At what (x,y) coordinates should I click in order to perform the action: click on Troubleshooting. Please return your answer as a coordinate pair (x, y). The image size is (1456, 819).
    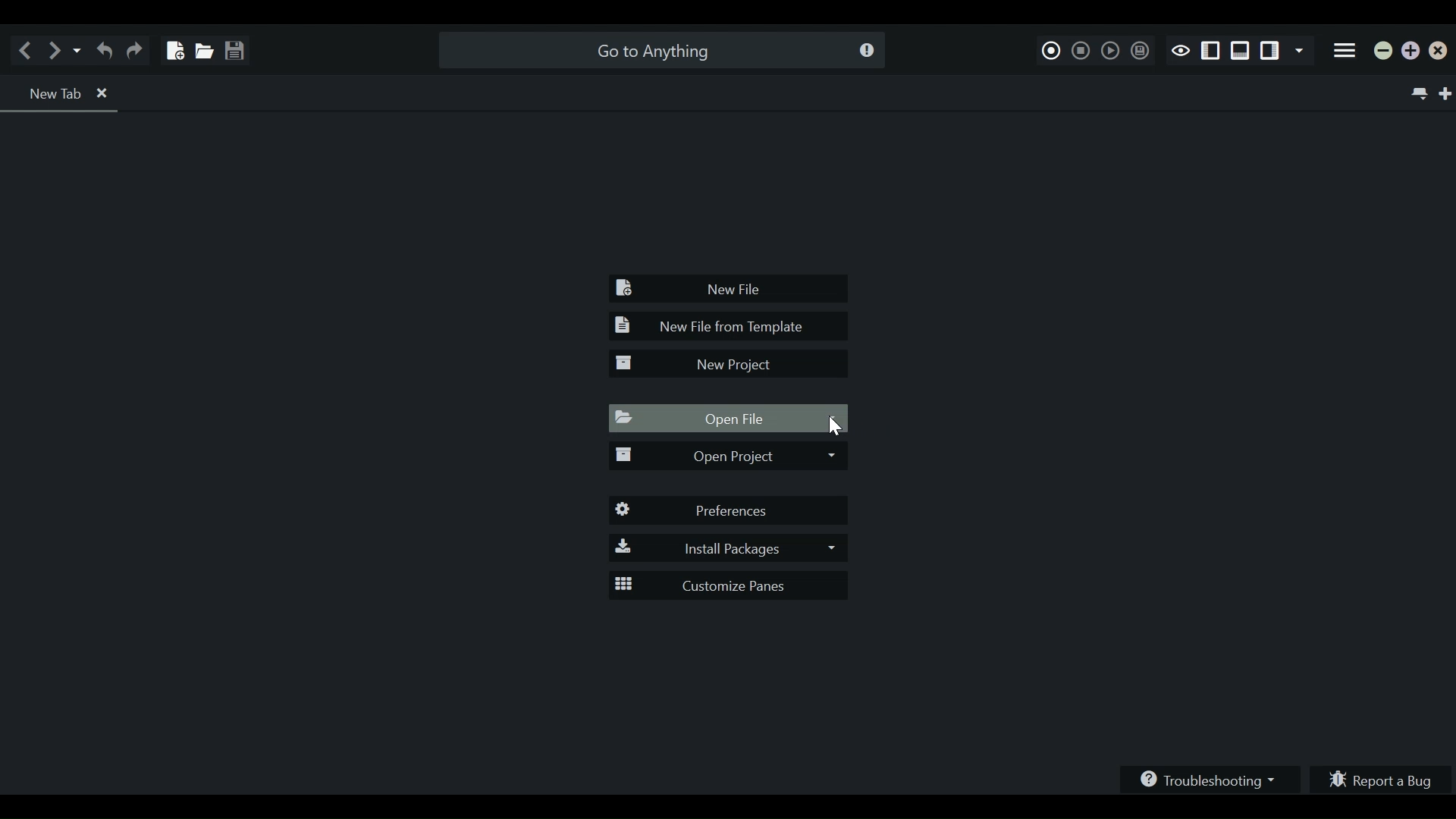
    Looking at the image, I should click on (1212, 777).